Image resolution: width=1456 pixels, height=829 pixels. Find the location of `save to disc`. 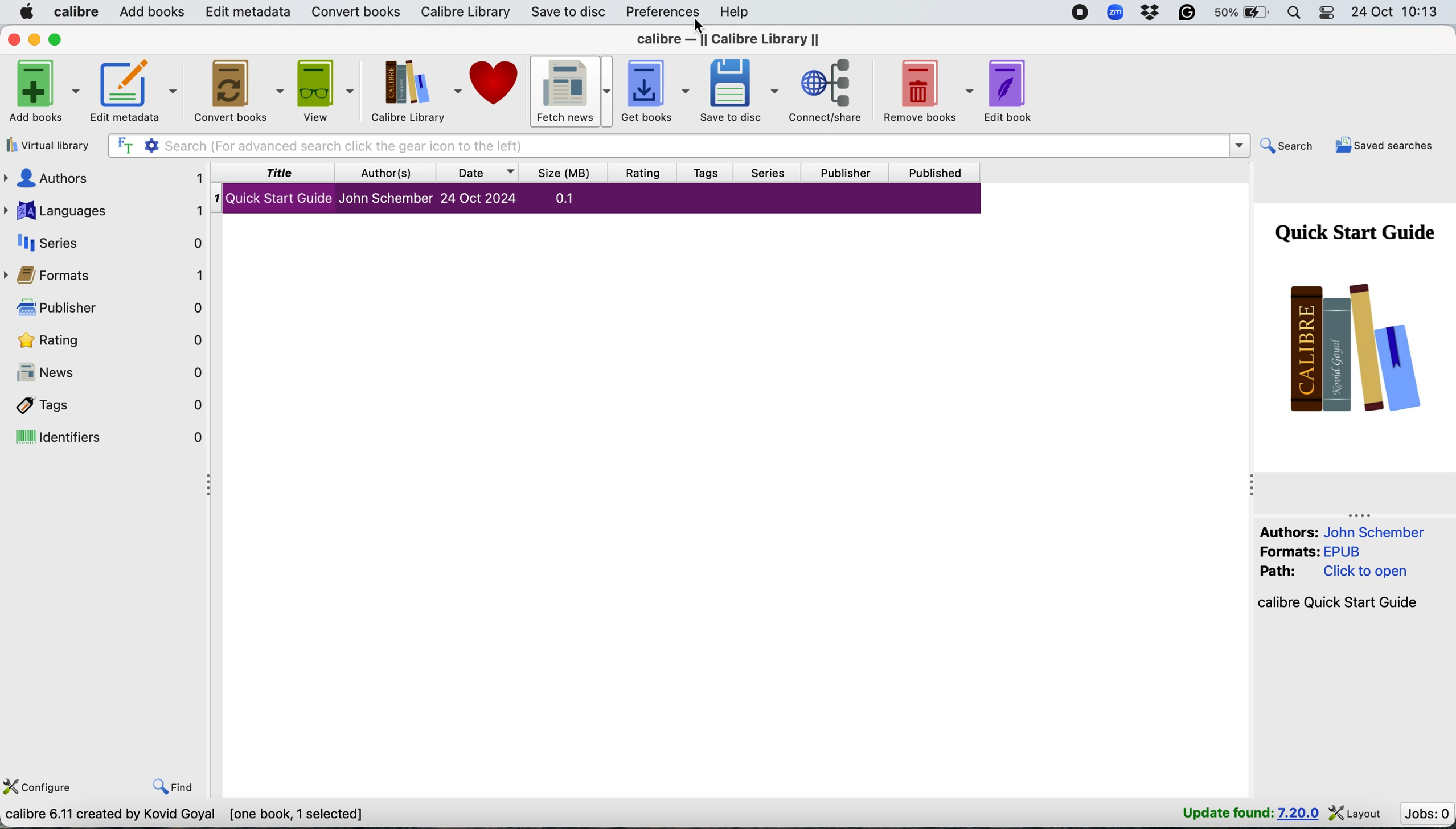

save to disc is located at coordinates (739, 95).